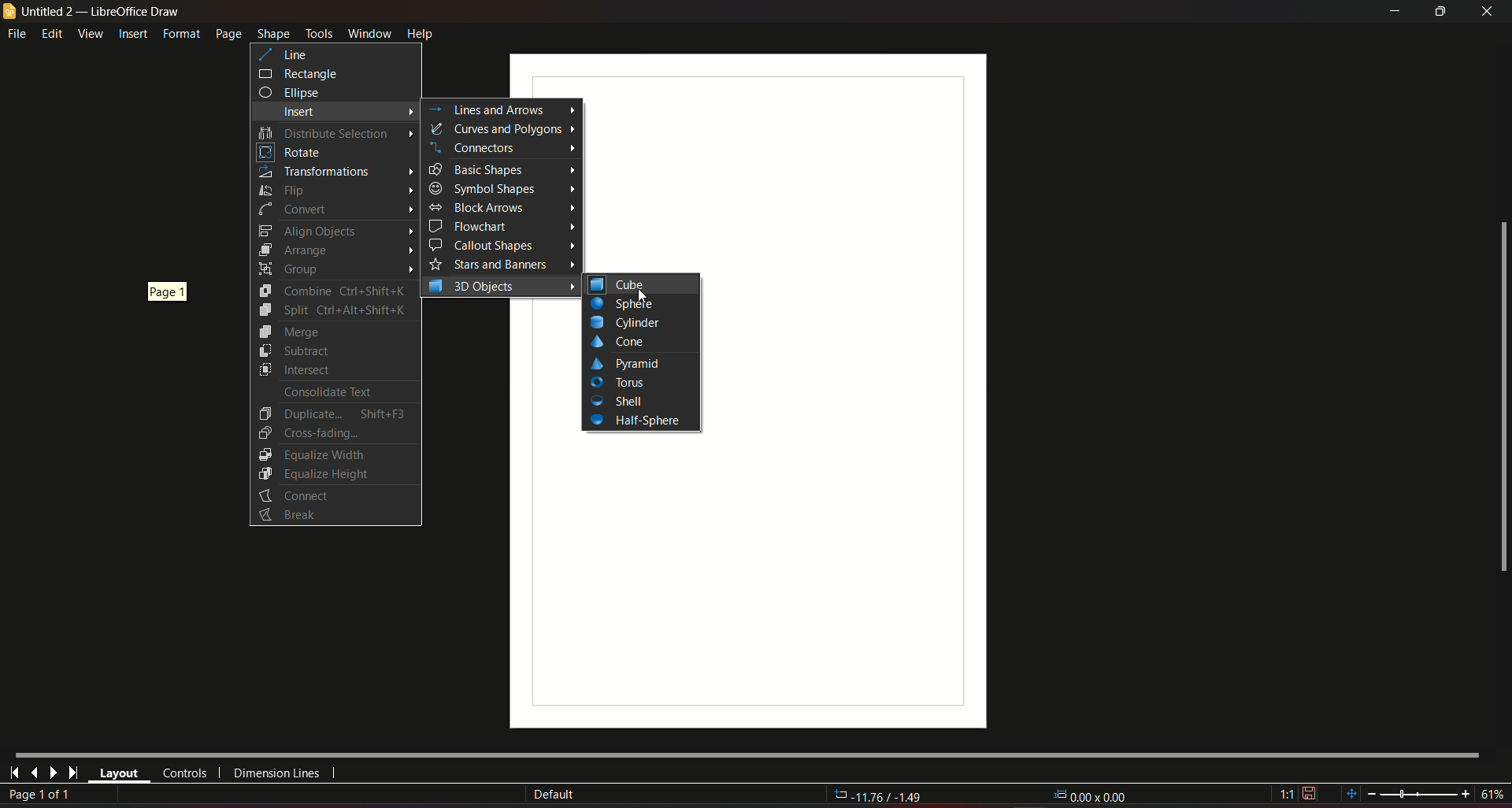  What do you see at coordinates (410, 113) in the screenshot?
I see `Arrow` at bounding box center [410, 113].